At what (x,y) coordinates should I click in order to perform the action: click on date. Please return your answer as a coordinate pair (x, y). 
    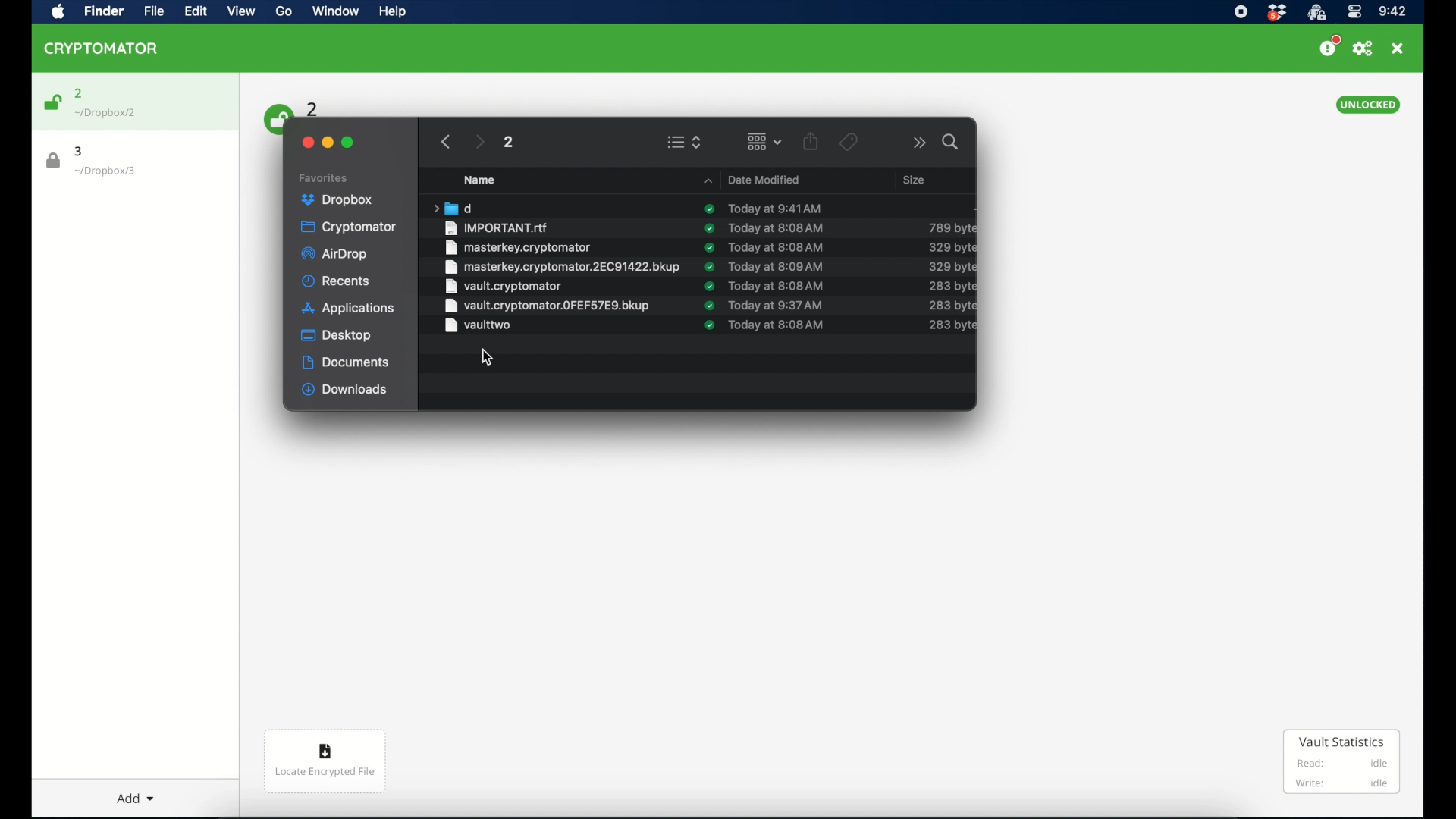
    Looking at the image, I should click on (776, 325).